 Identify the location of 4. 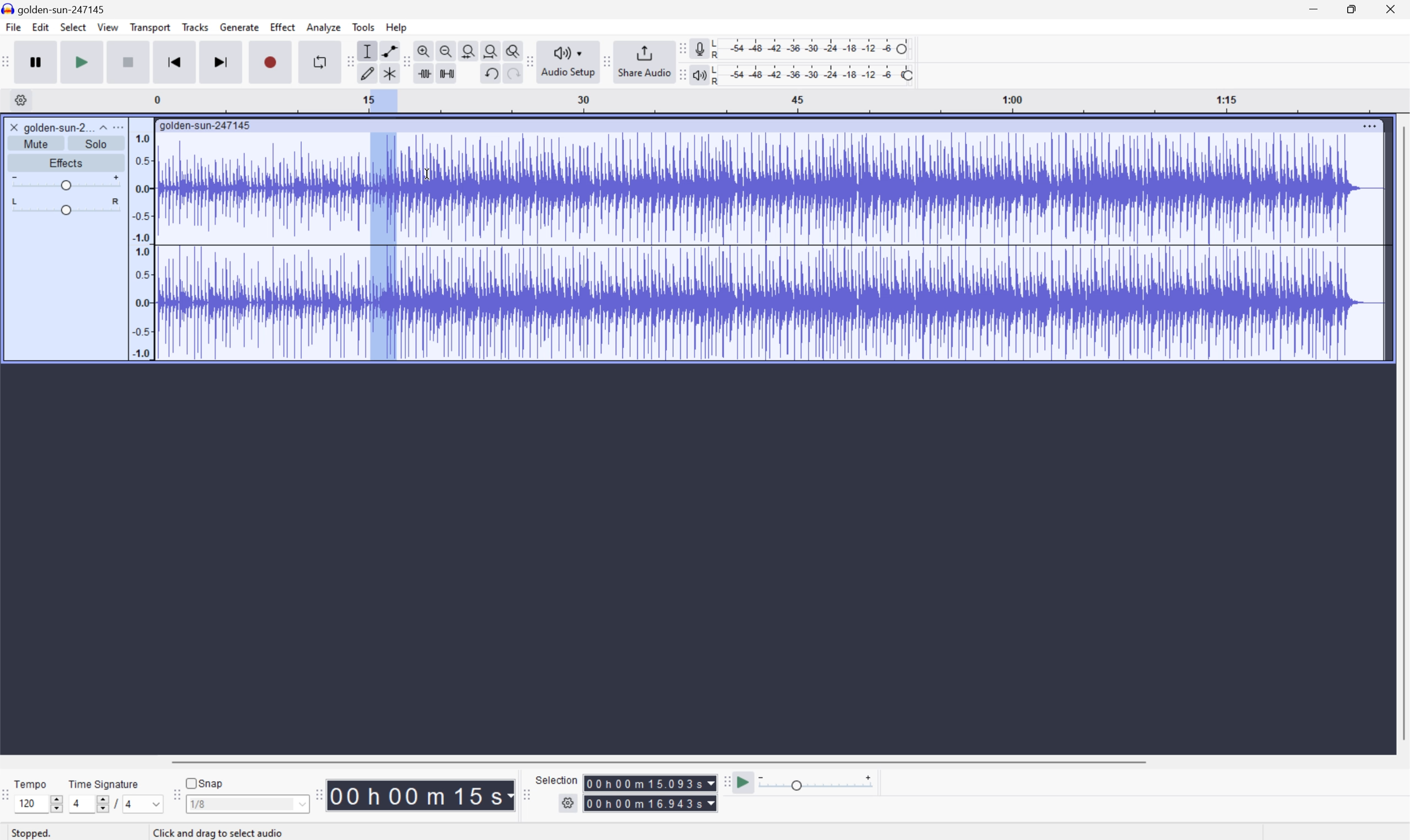
(130, 805).